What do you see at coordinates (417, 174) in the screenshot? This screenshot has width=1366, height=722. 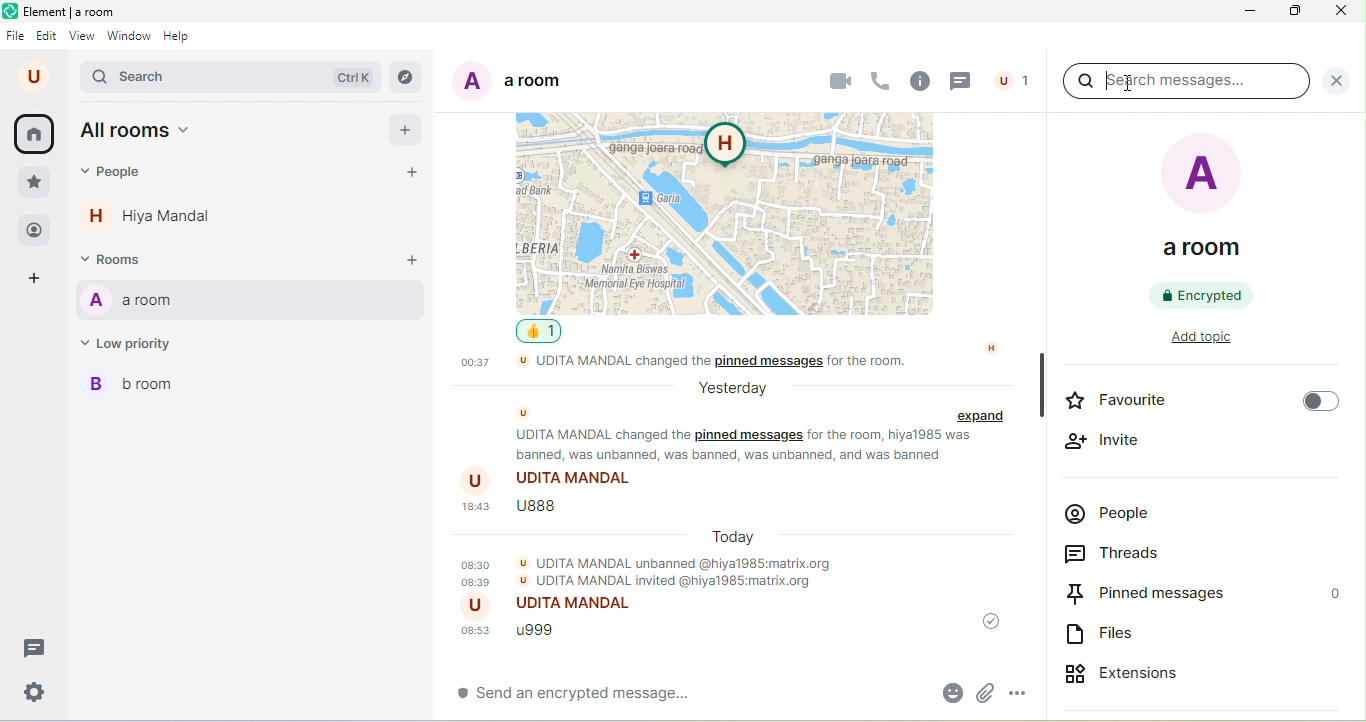 I see `start chat` at bounding box center [417, 174].